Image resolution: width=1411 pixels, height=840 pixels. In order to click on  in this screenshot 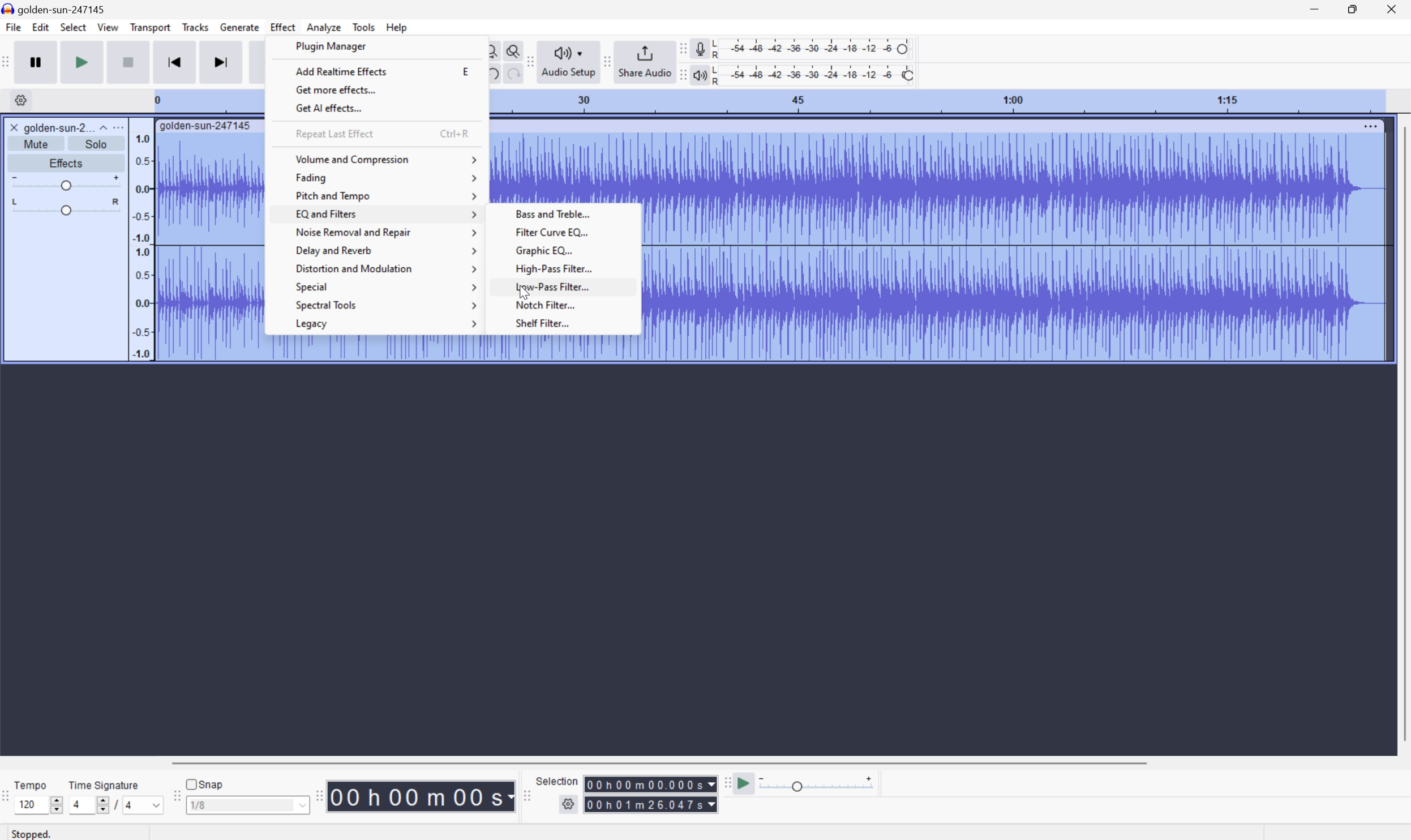, I will do `click(510, 75)`.